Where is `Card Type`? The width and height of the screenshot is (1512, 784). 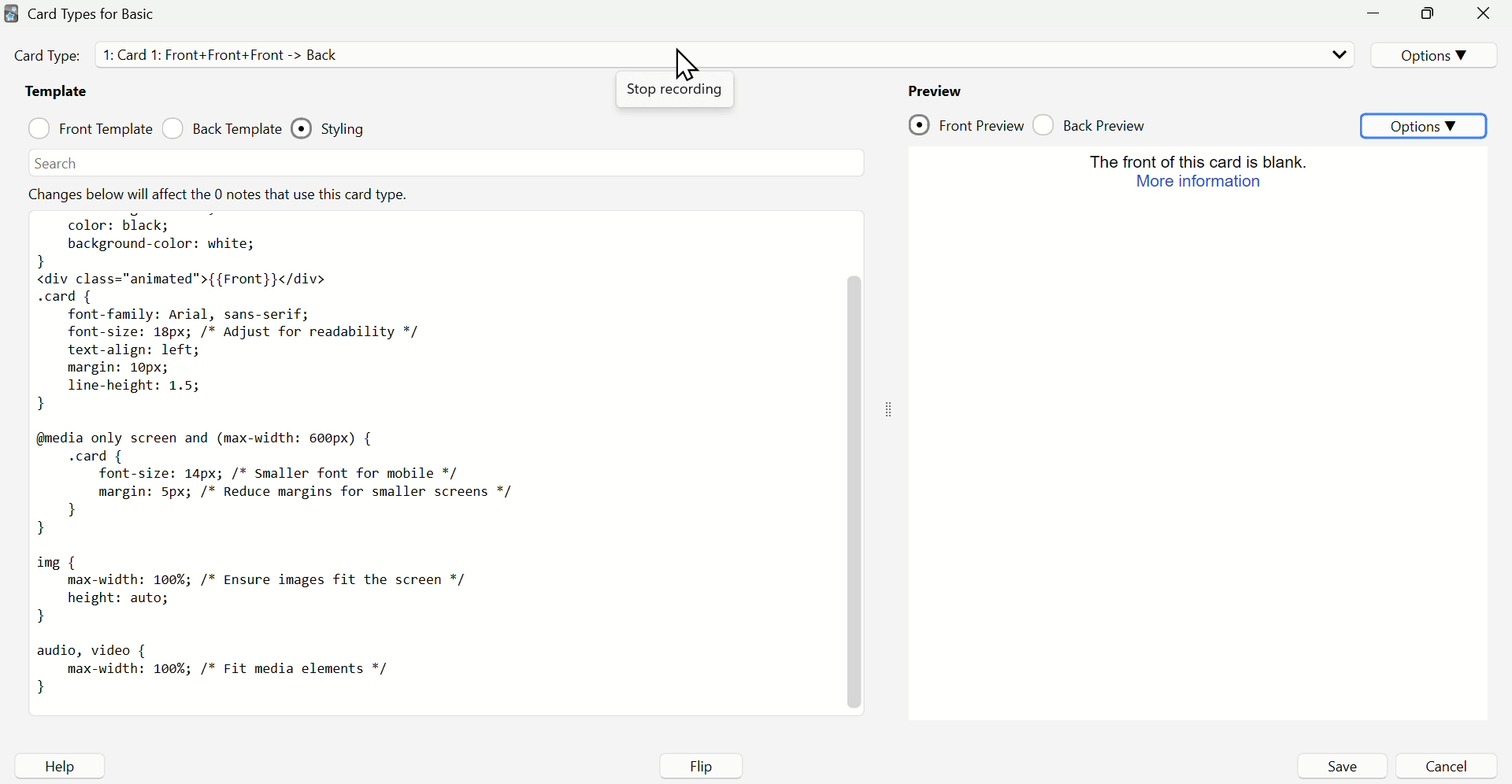
Card Type is located at coordinates (98, 15).